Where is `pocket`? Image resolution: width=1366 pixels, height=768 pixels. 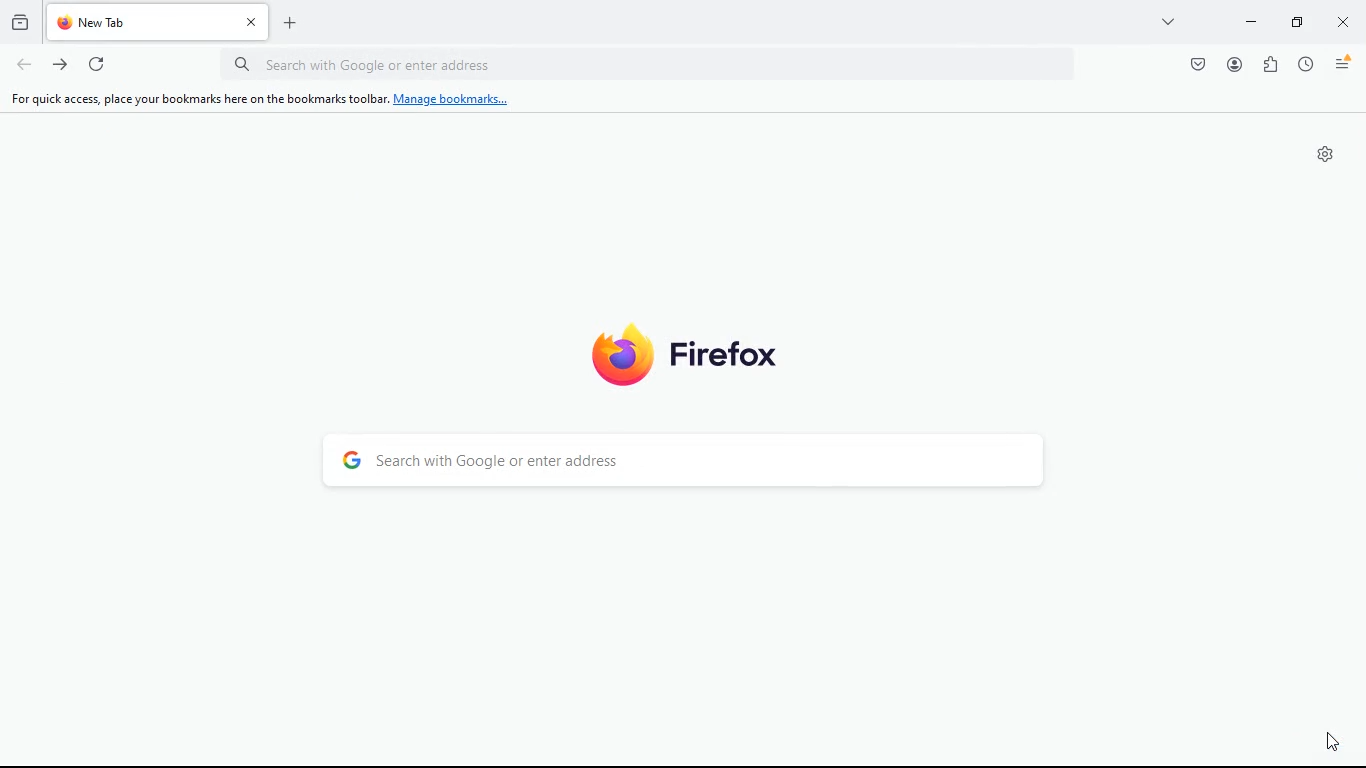
pocket is located at coordinates (1199, 64).